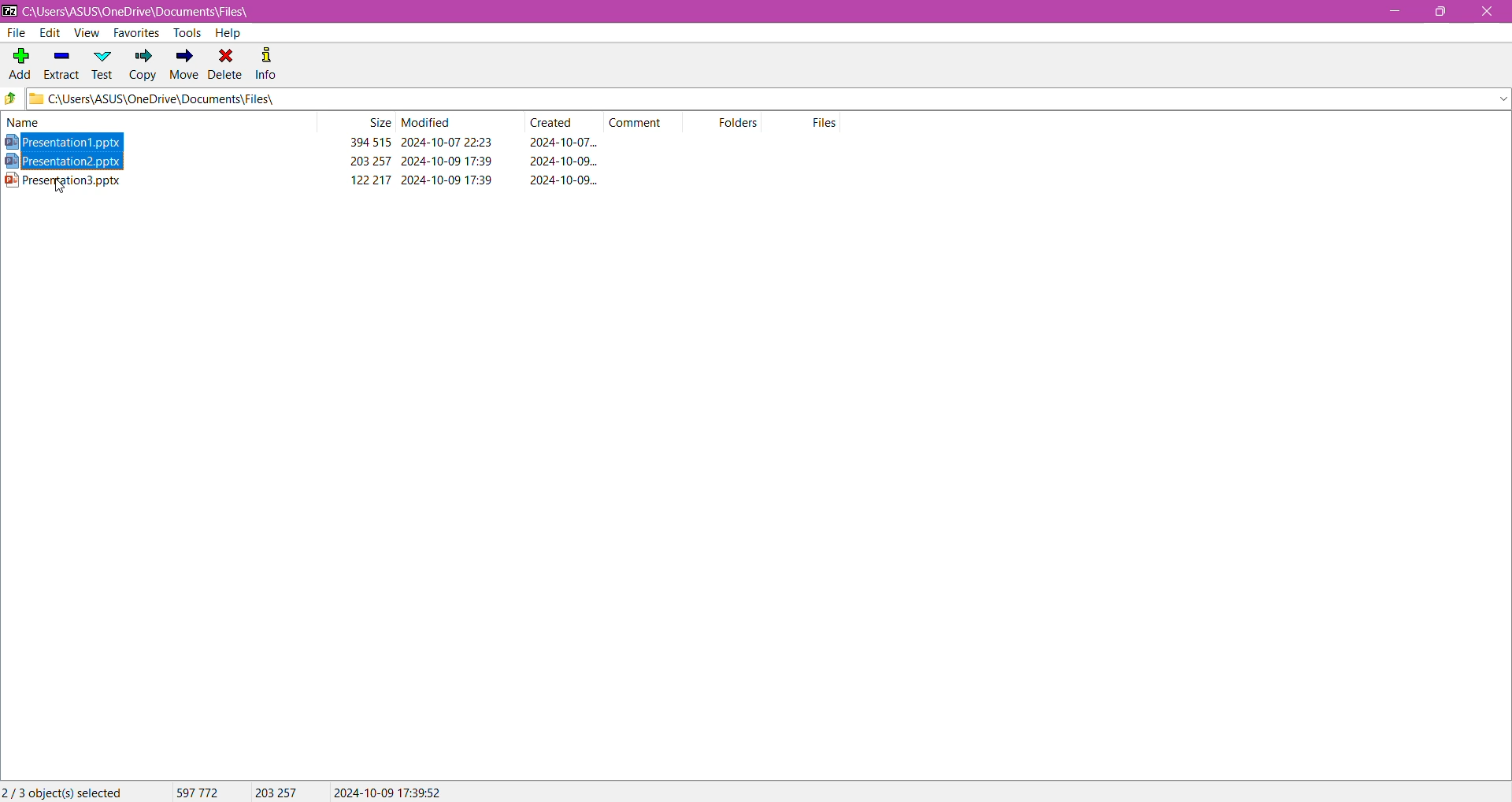  Describe the element at coordinates (103, 64) in the screenshot. I see `Test` at that location.